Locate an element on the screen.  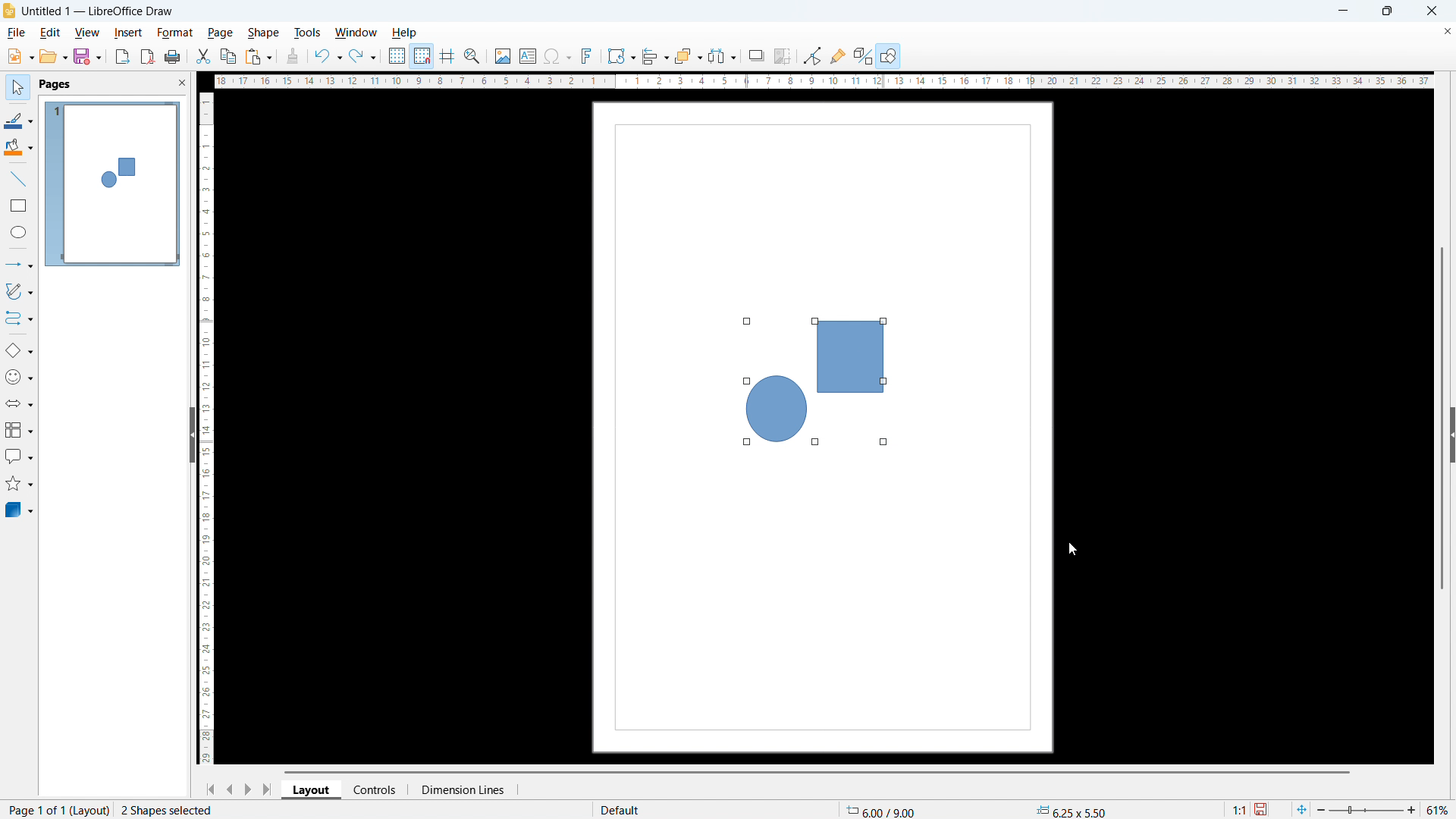
format is located at coordinates (175, 33).